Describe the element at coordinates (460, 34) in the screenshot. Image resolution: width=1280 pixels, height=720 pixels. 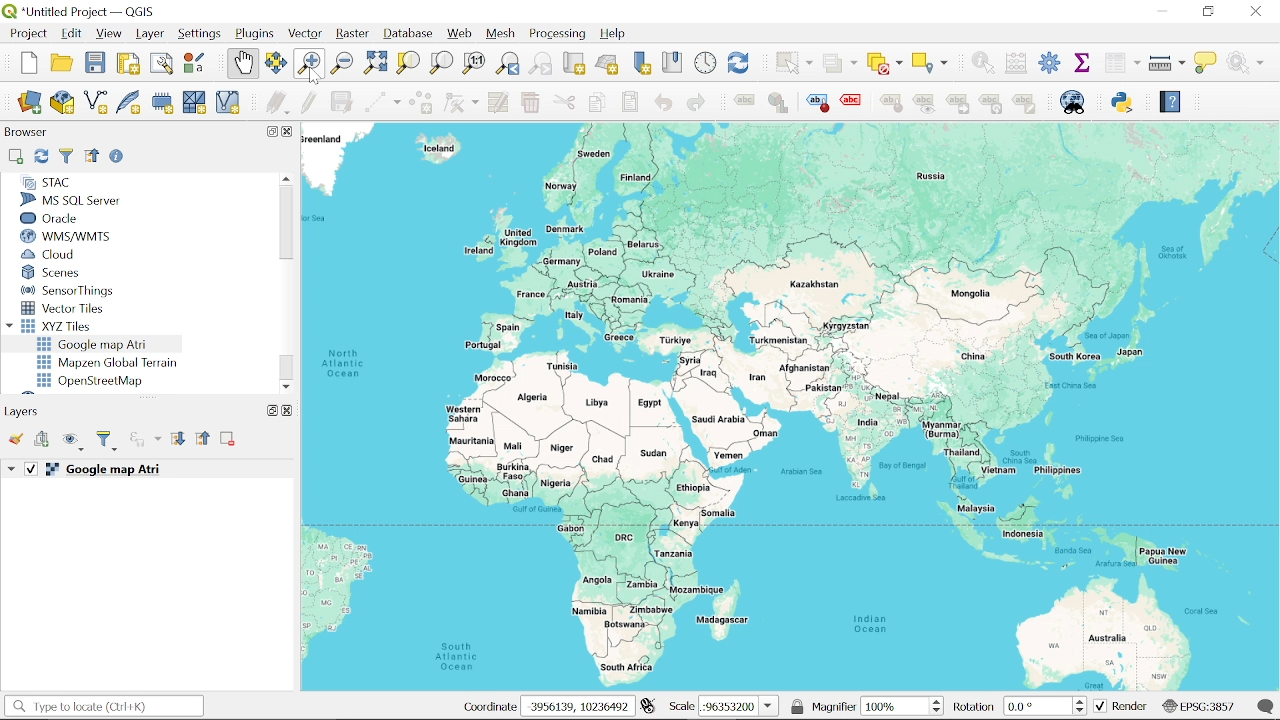
I see `Web` at that location.